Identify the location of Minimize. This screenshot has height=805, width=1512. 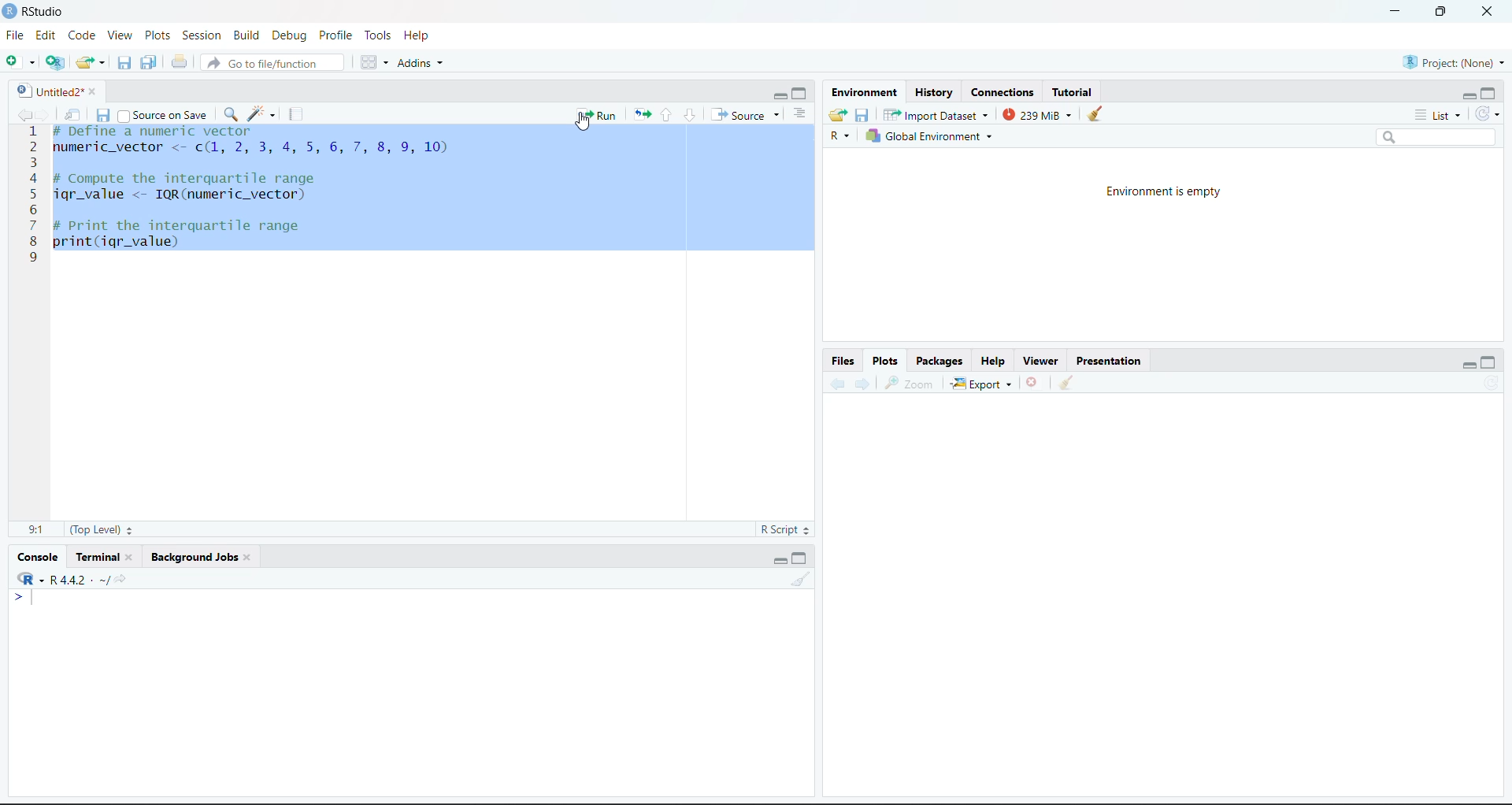
(778, 94).